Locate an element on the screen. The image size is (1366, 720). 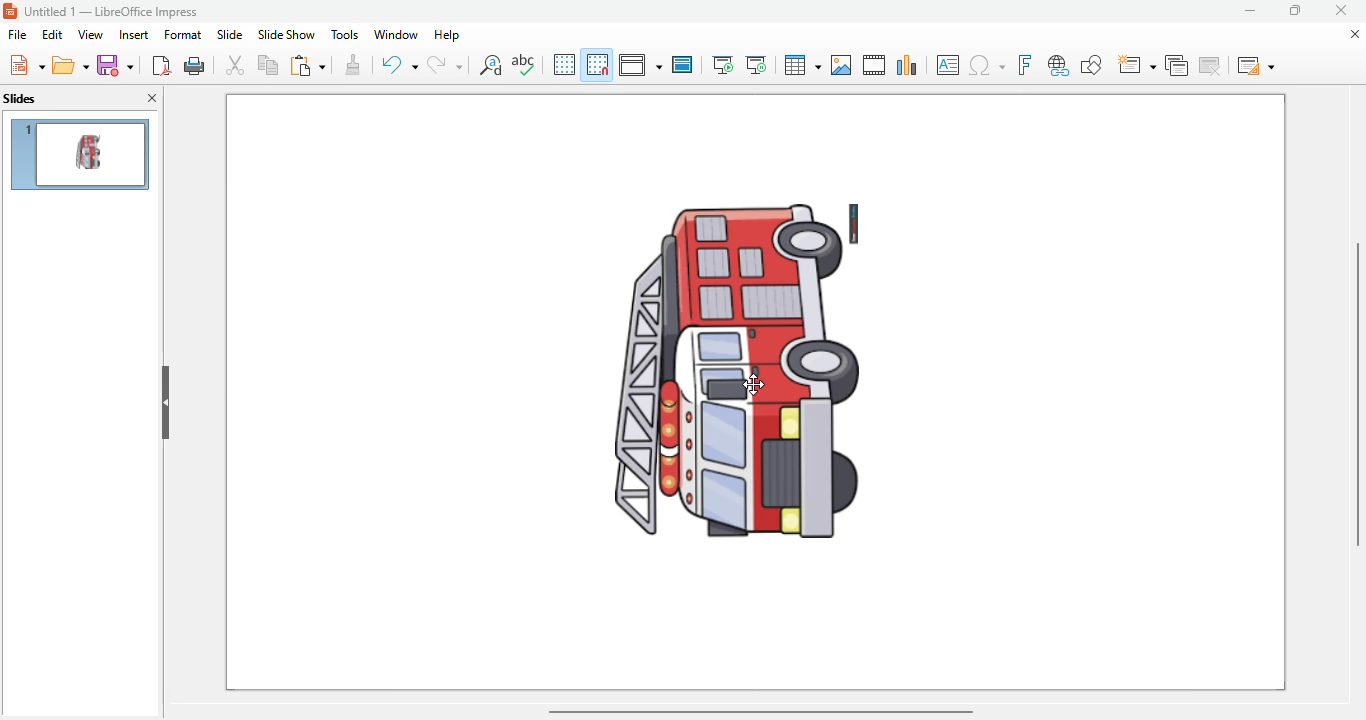
clone formatting is located at coordinates (353, 65).